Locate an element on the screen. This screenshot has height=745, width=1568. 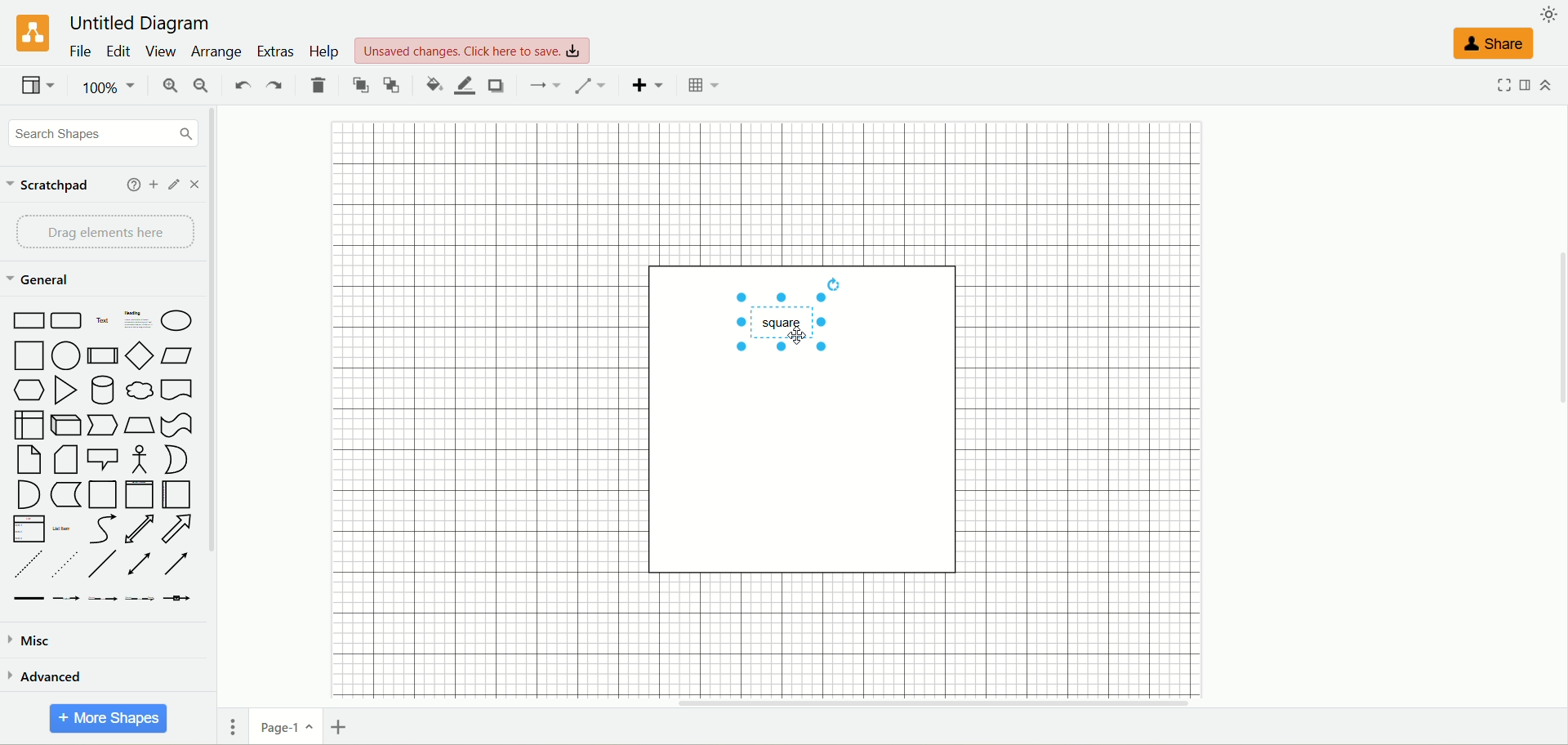
connection is located at coordinates (548, 87).